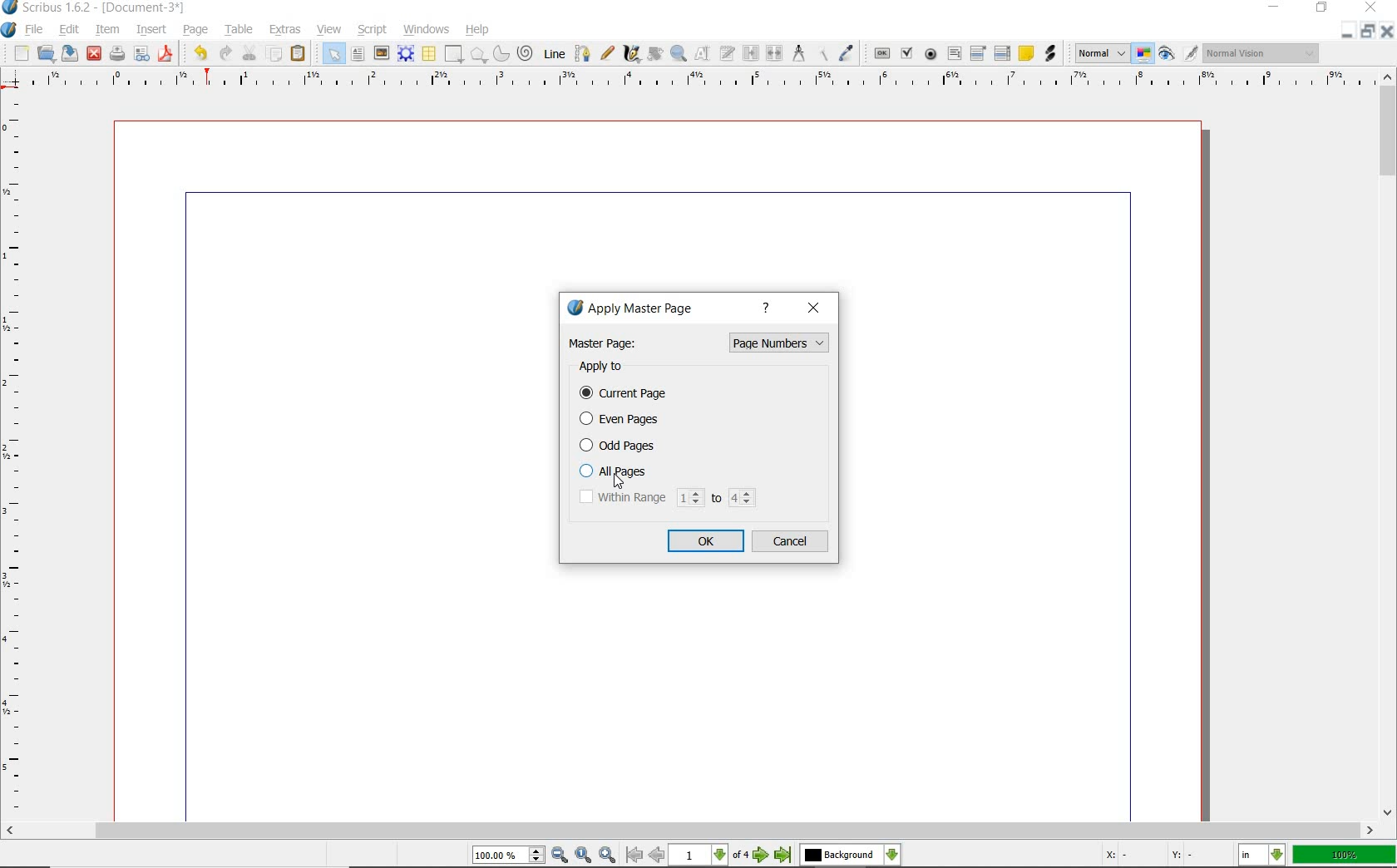 This screenshot has height=868, width=1397. Describe the element at coordinates (822, 54) in the screenshot. I see `copy item properties` at that location.